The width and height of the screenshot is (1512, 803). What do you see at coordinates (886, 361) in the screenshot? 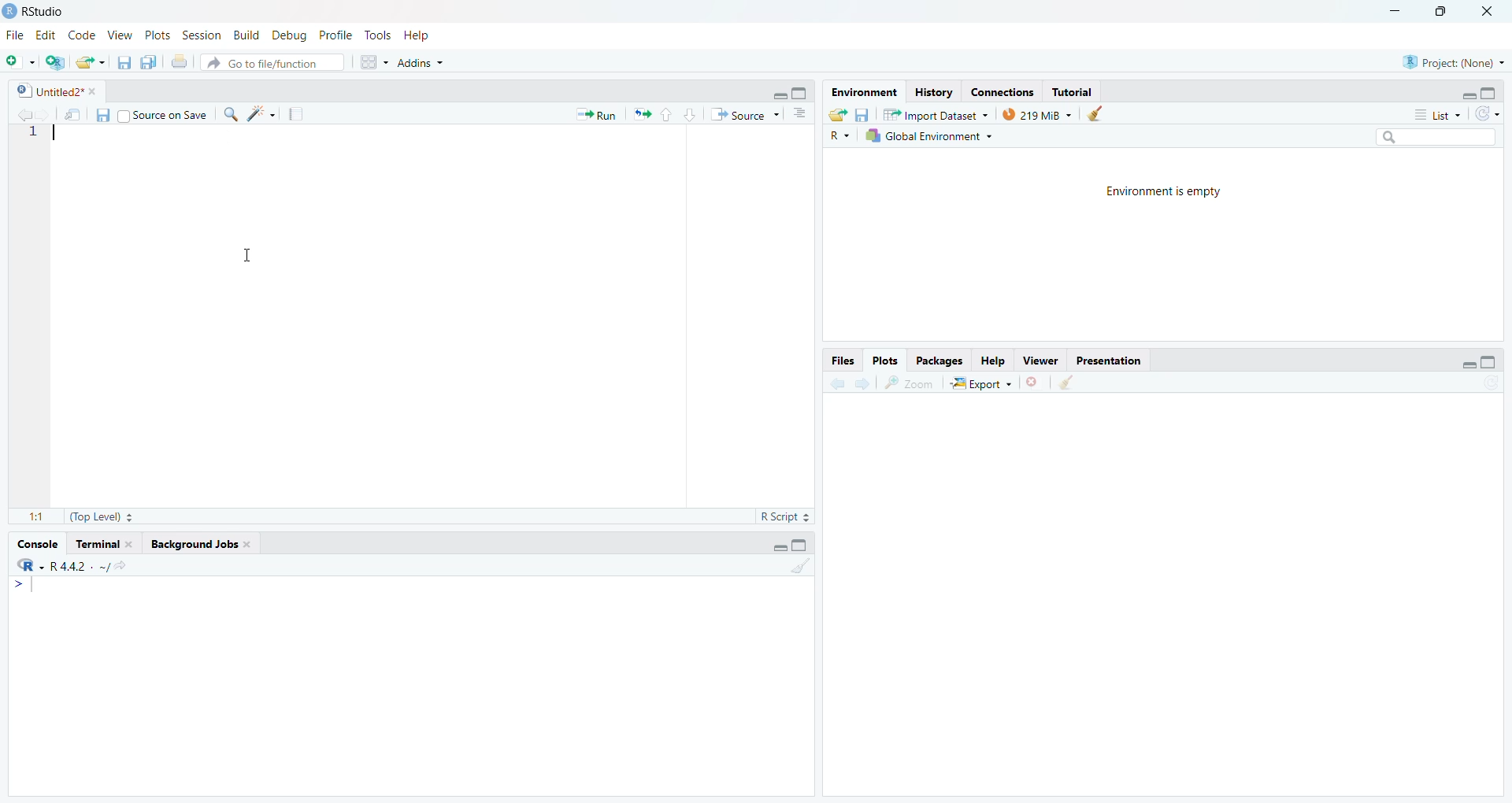
I see `Plots` at bounding box center [886, 361].